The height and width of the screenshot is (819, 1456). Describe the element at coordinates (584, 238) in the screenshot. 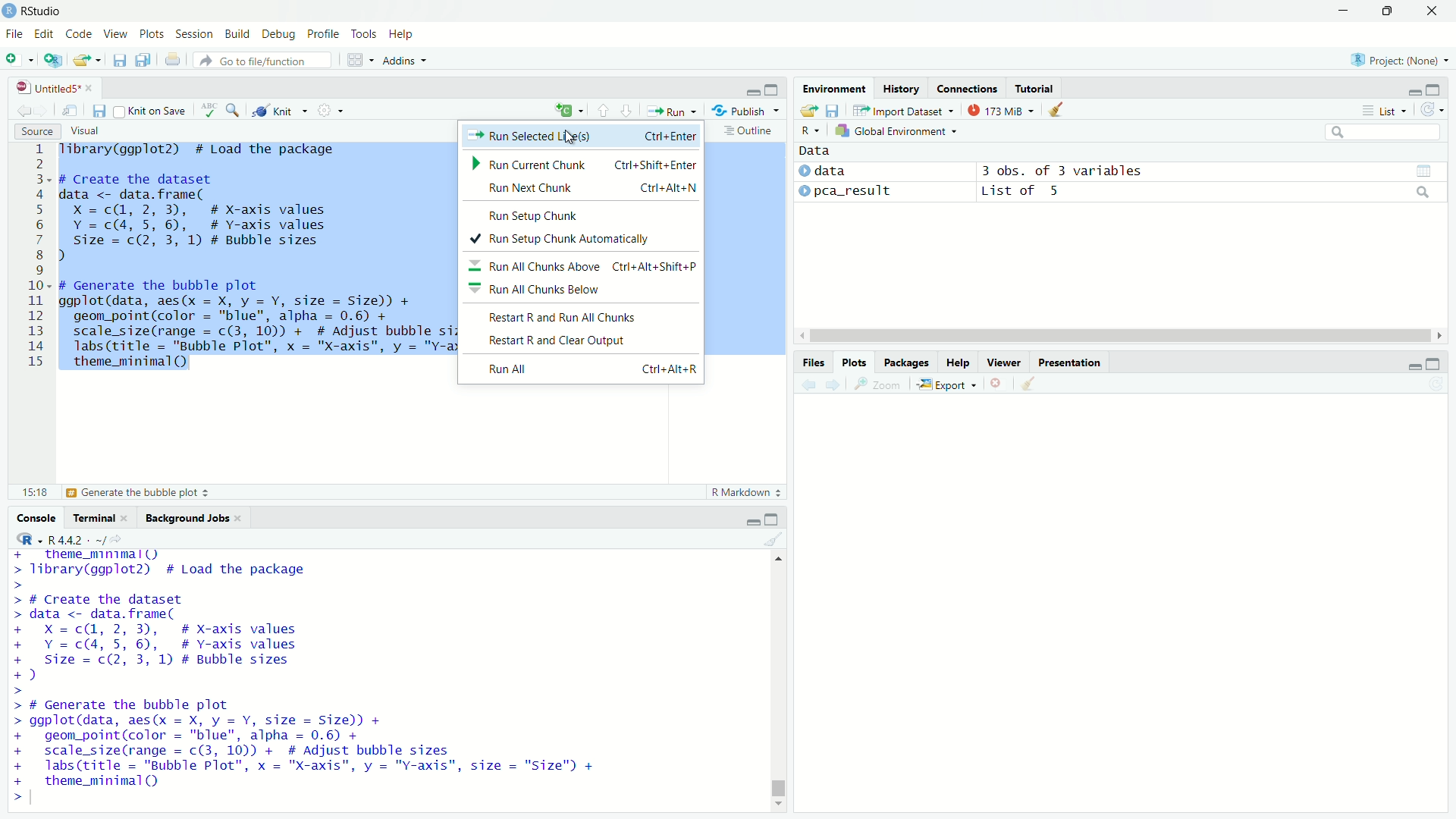

I see `run setup chunk automatically` at that location.